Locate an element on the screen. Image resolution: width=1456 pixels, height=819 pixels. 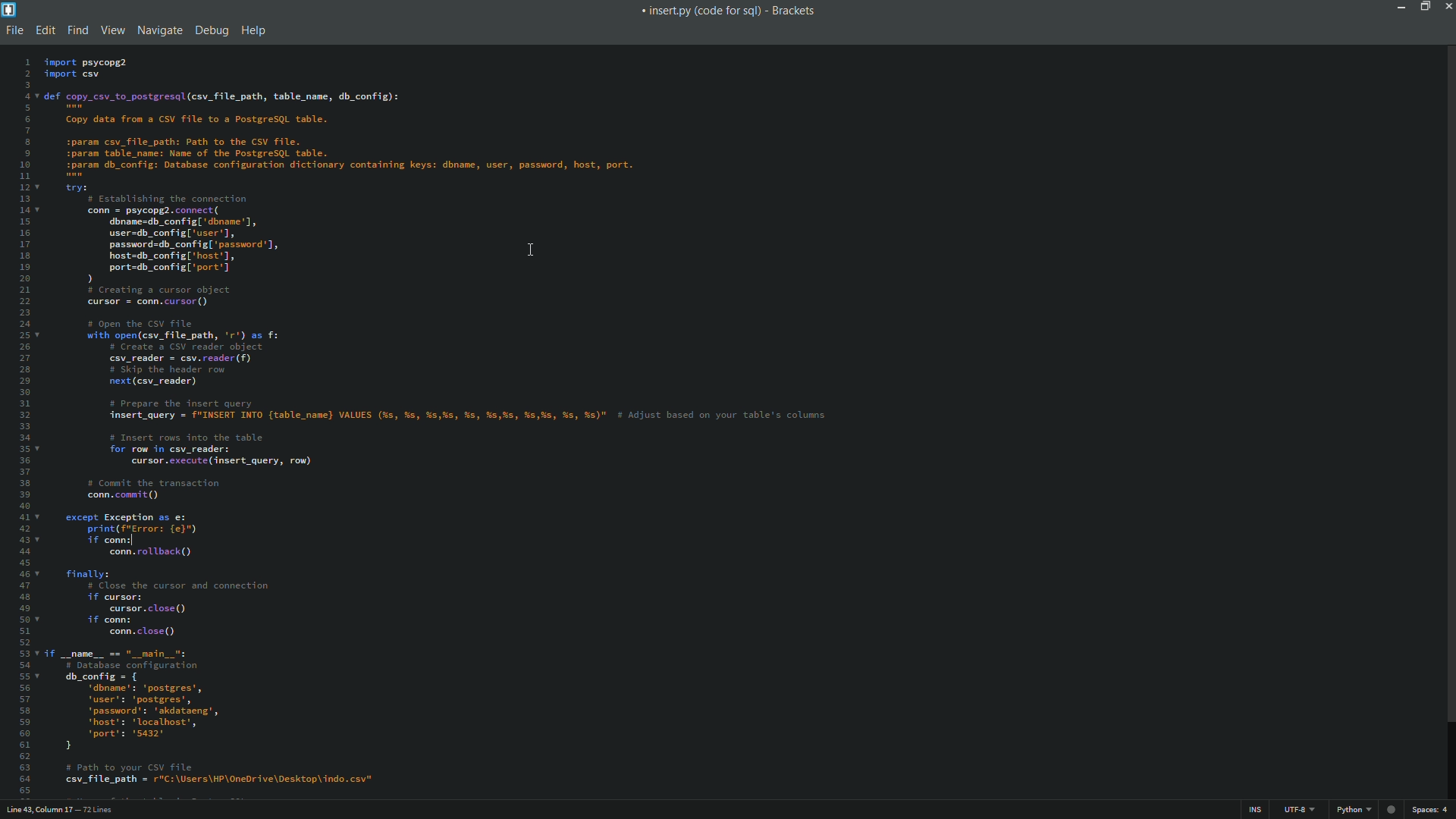
view menu is located at coordinates (111, 30).